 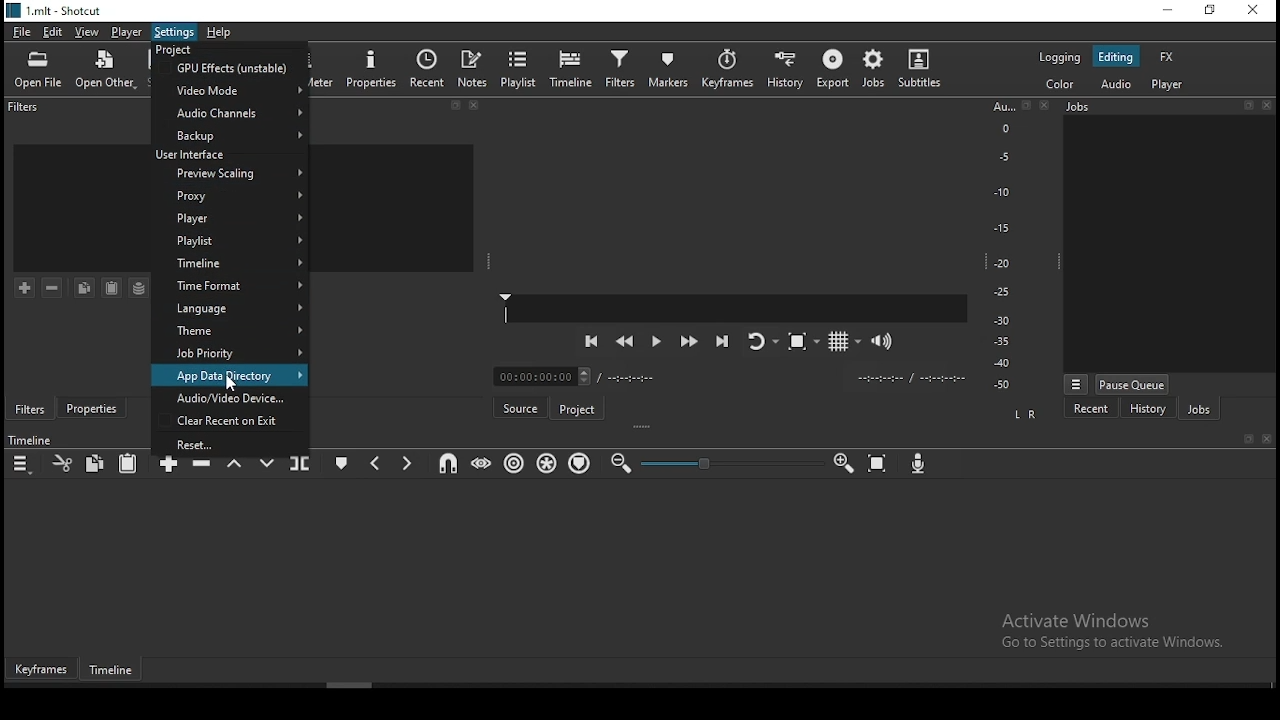 I want to click on Timeline, so click(x=32, y=440).